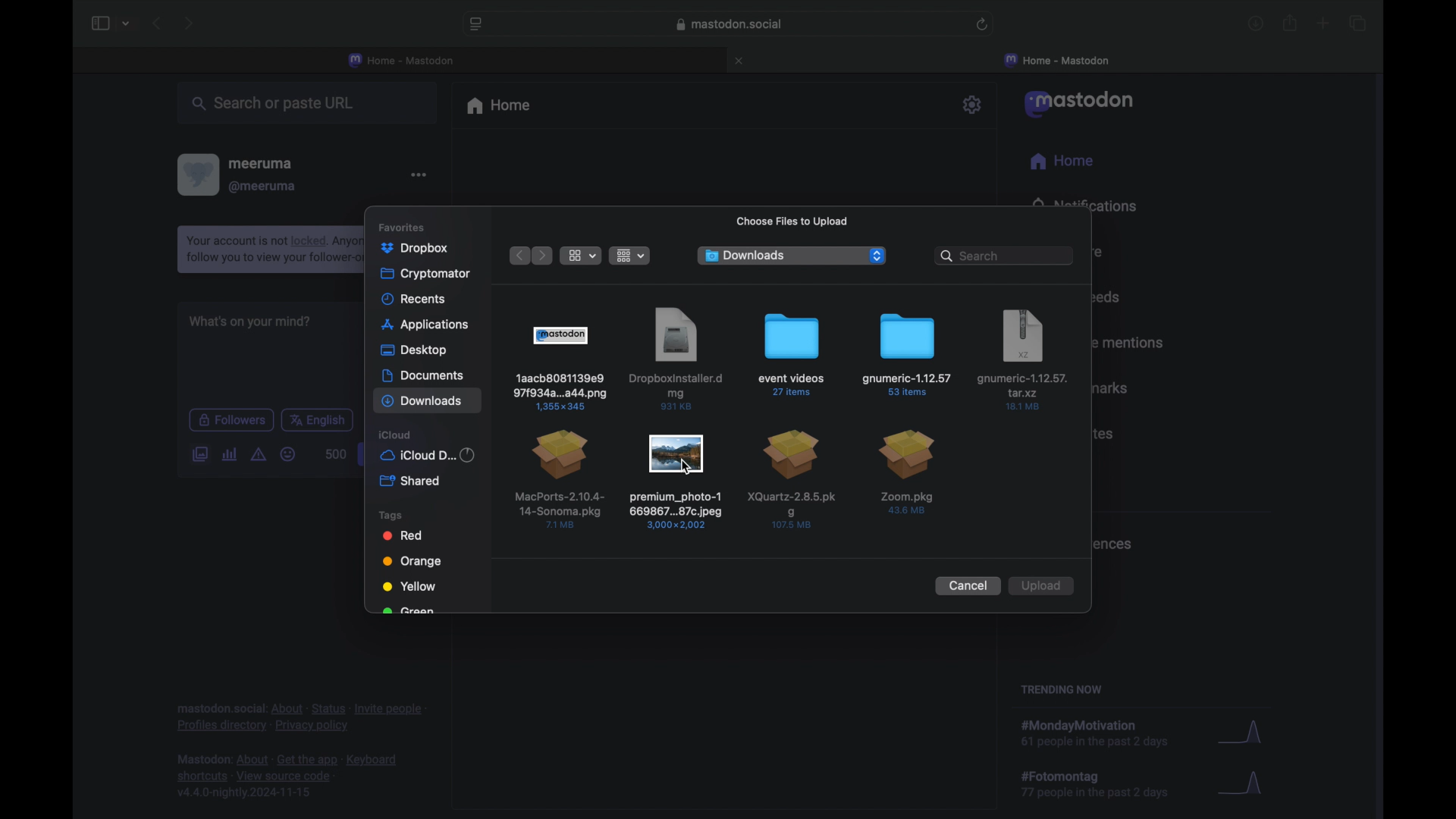  What do you see at coordinates (560, 367) in the screenshot?
I see `file` at bounding box center [560, 367].